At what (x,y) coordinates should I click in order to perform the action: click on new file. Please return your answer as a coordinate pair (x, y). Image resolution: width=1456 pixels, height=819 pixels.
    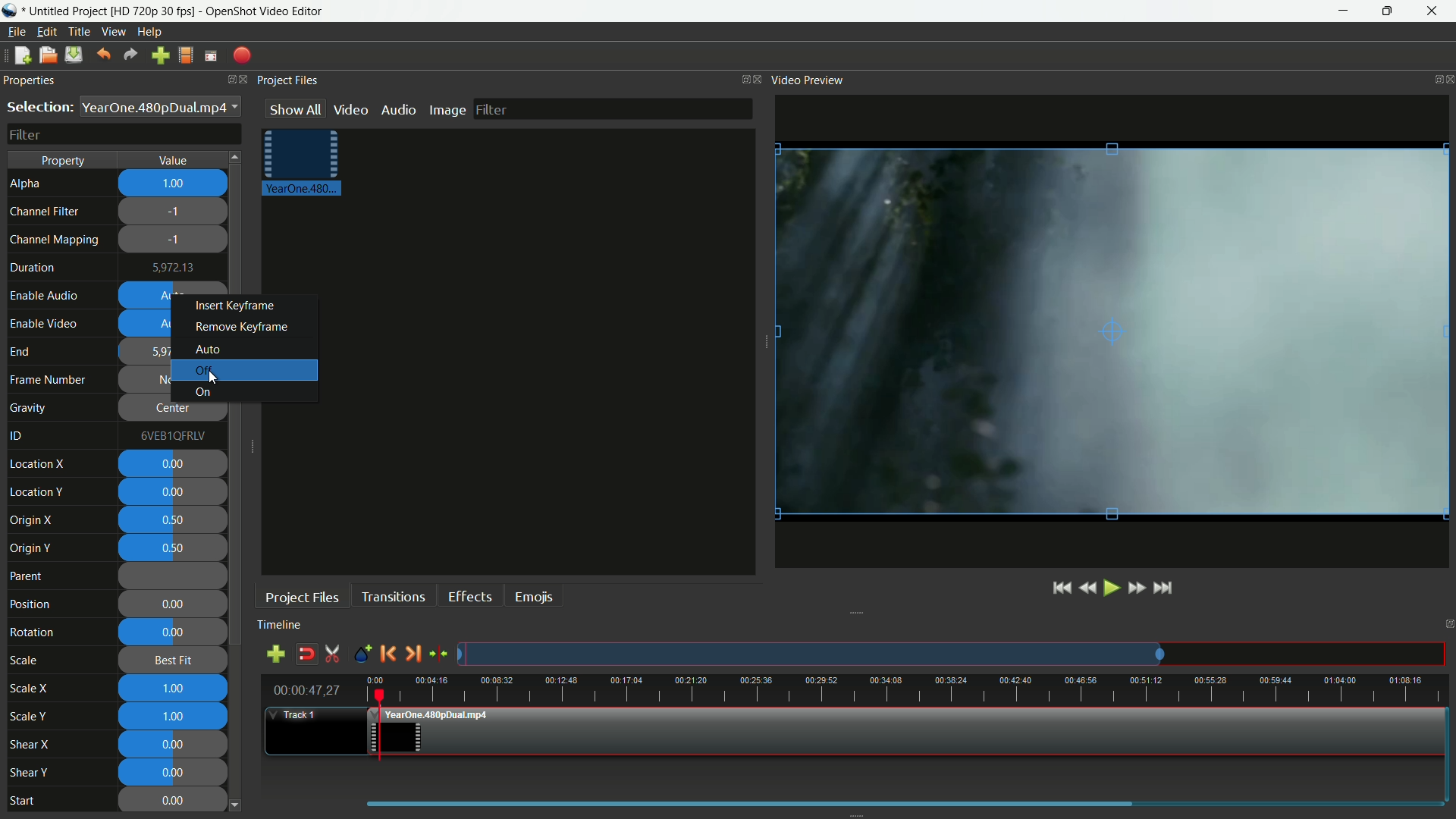
    Looking at the image, I should click on (23, 55).